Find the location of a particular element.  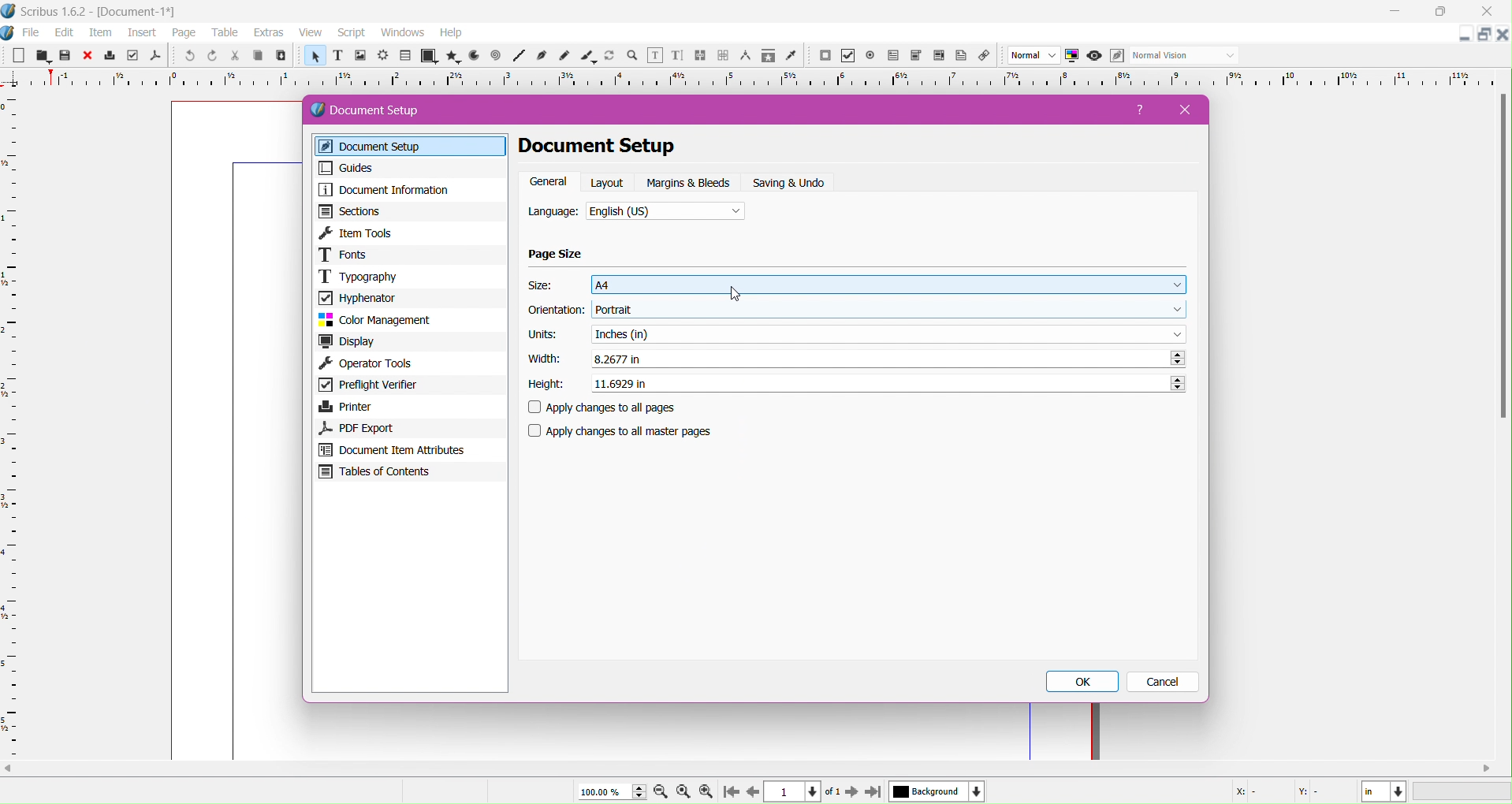

app icon is located at coordinates (9, 33).